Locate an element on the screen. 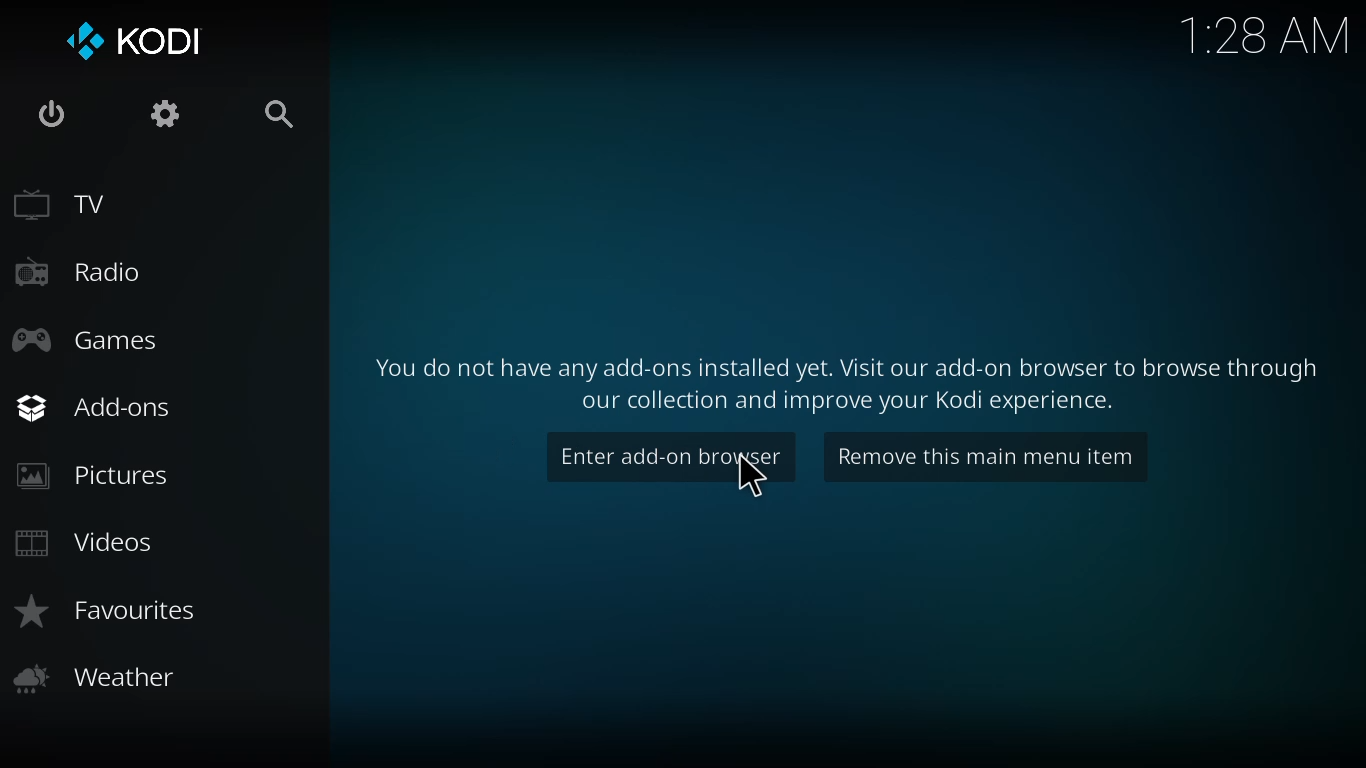 The height and width of the screenshot is (768, 1366). cursor is located at coordinates (750, 476).